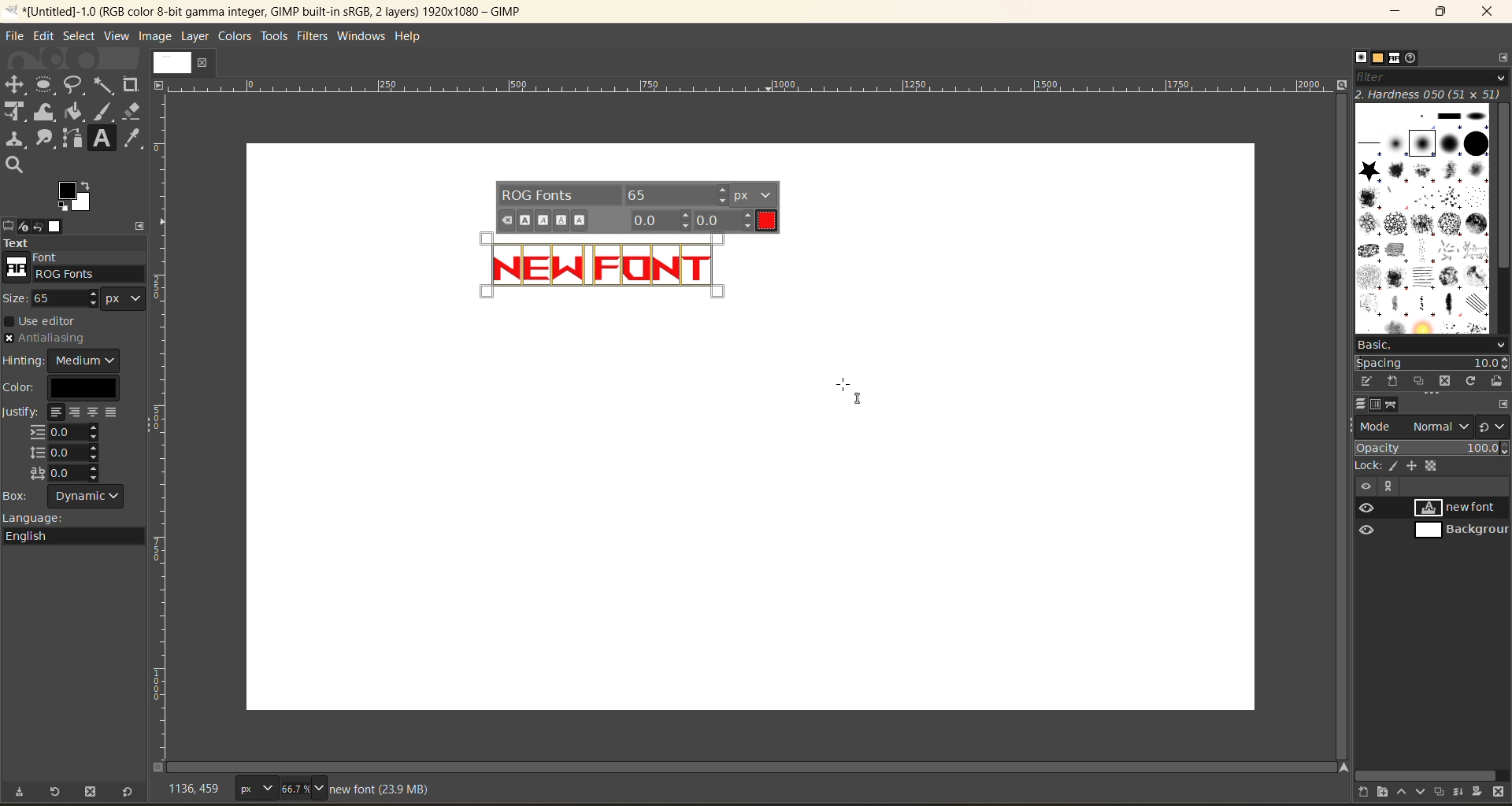  What do you see at coordinates (618, 218) in the screenshot?
I see `font settings` at bounding box center [618, 218].